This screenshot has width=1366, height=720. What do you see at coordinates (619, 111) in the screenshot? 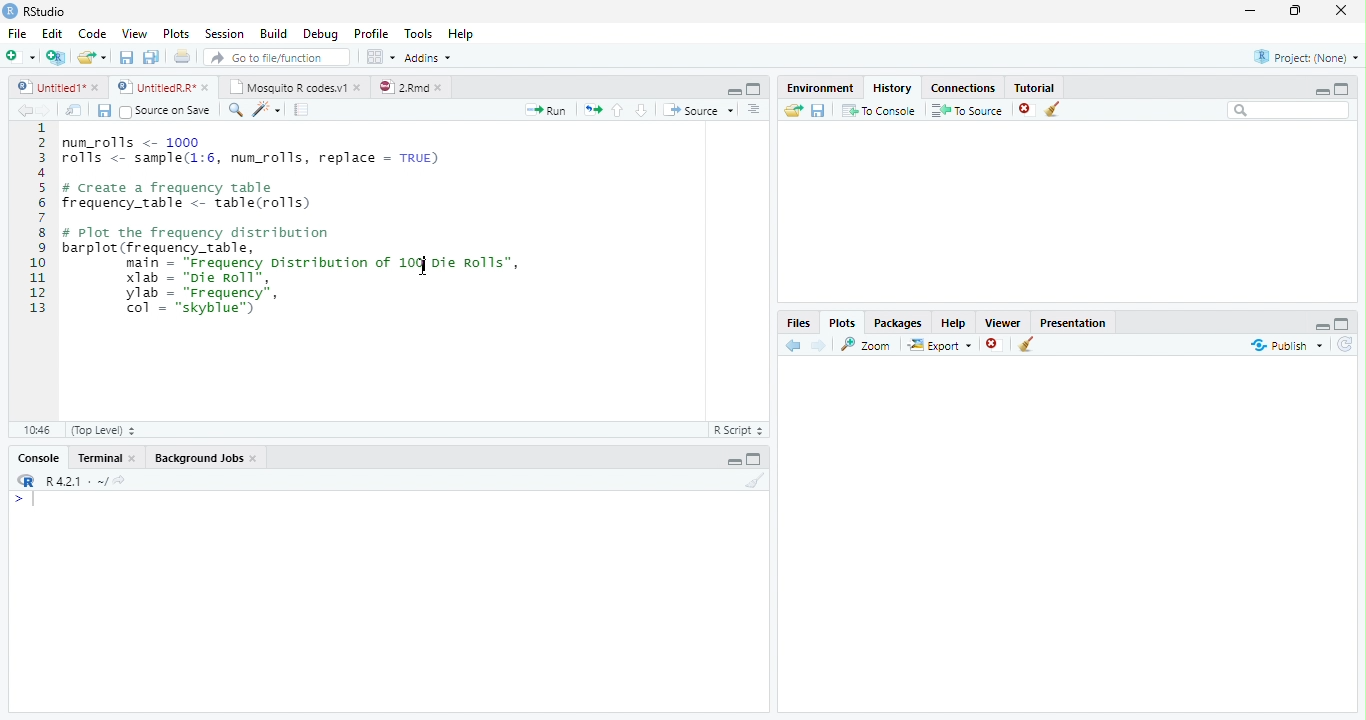
I see `Go to previous section of code` at bounding box center [619, 111].